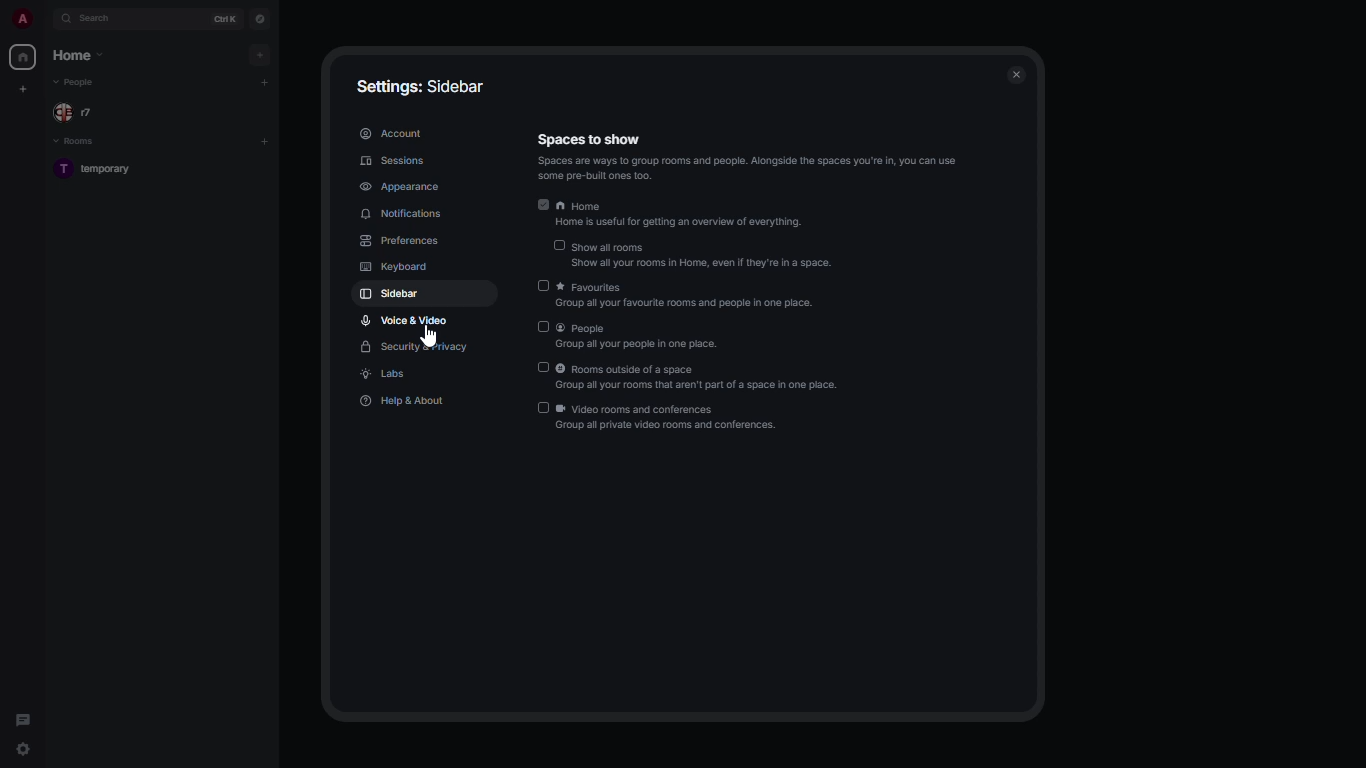 Image resolution: width=1366 pixels, height=768 pixels. Describe the element at coordinates (395, 293) in the screenshot. I see `sidebar` at that location.